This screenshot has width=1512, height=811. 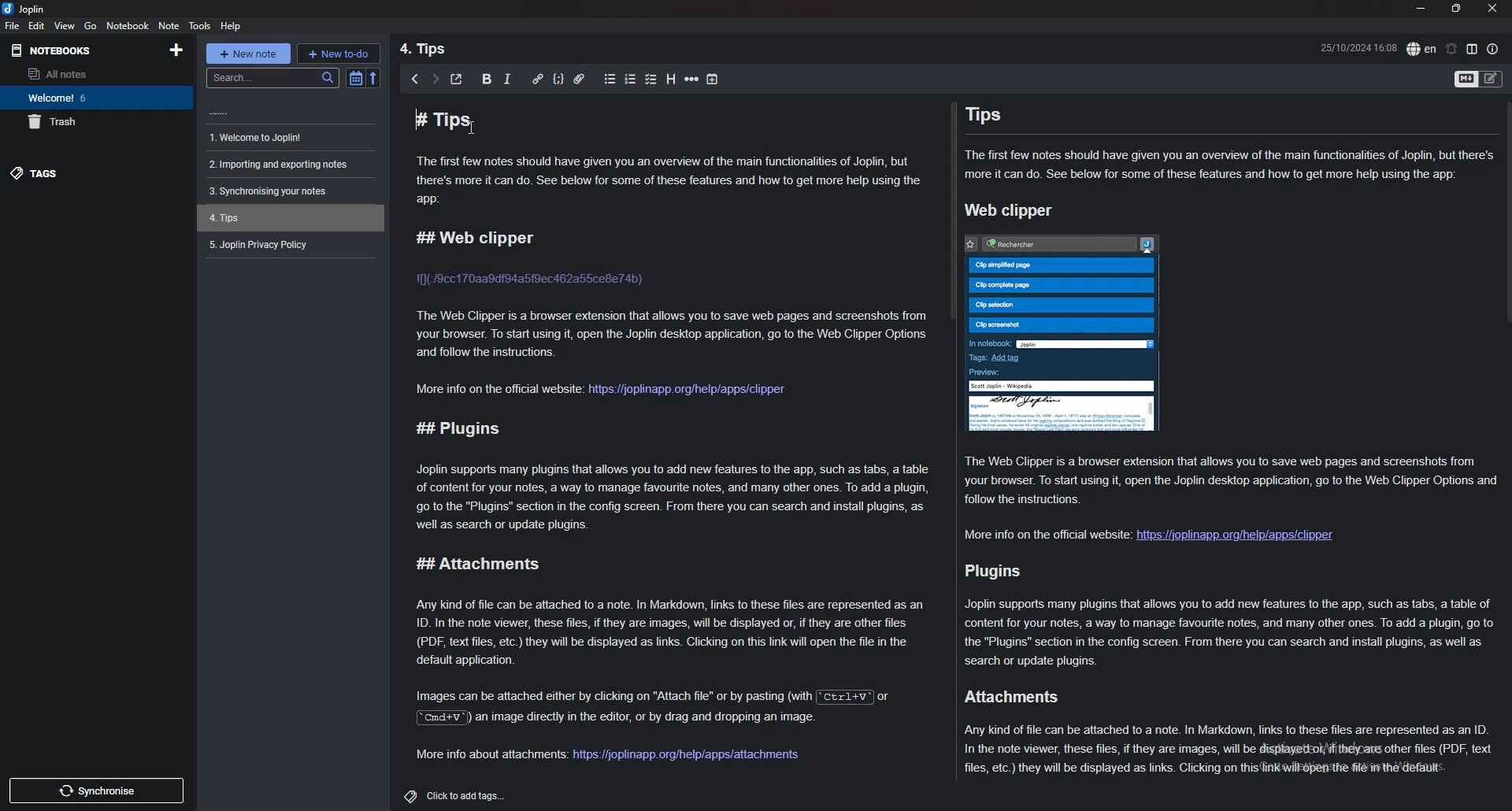 What do you see at coordinates (65, 25) in the screenshot?
I see `view` at bounding box center [65, 25].